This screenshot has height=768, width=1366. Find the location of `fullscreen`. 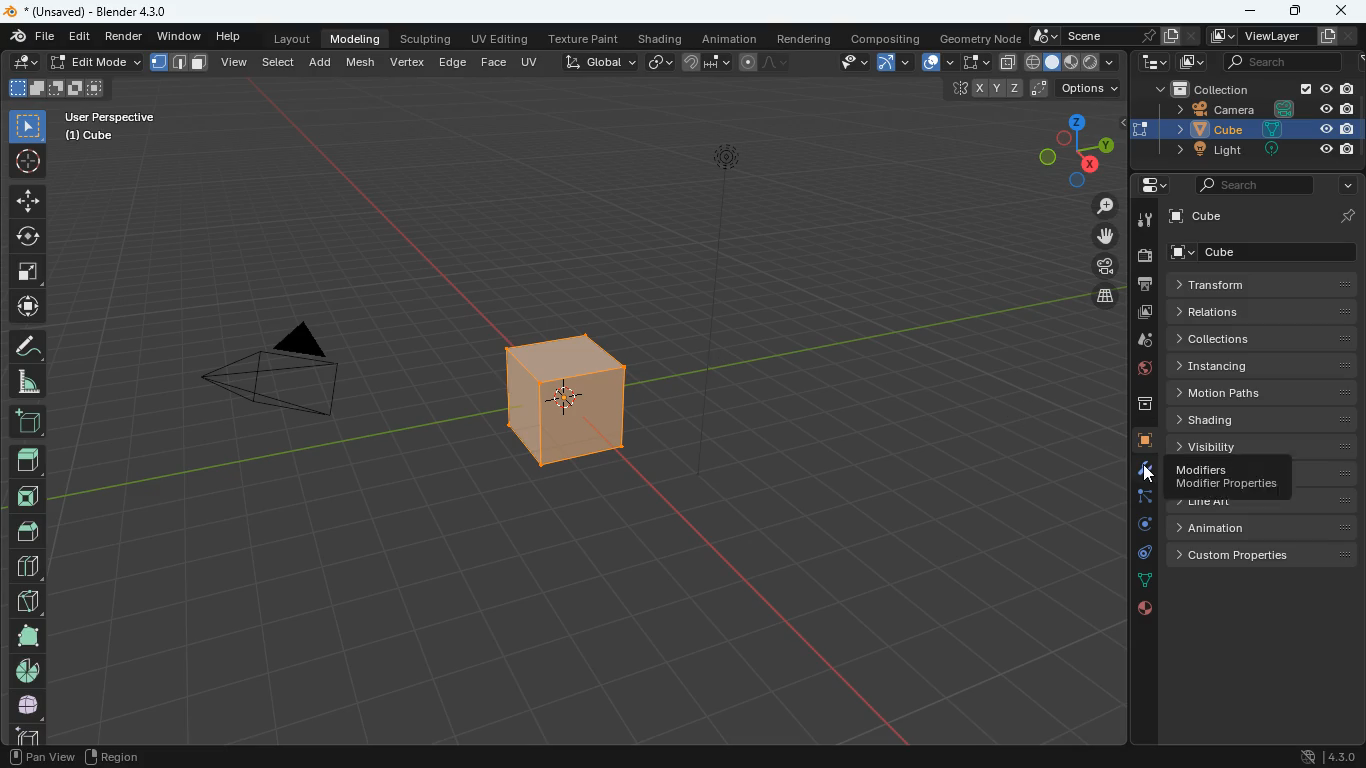

fullscreen is located at coordinates (969, 61).